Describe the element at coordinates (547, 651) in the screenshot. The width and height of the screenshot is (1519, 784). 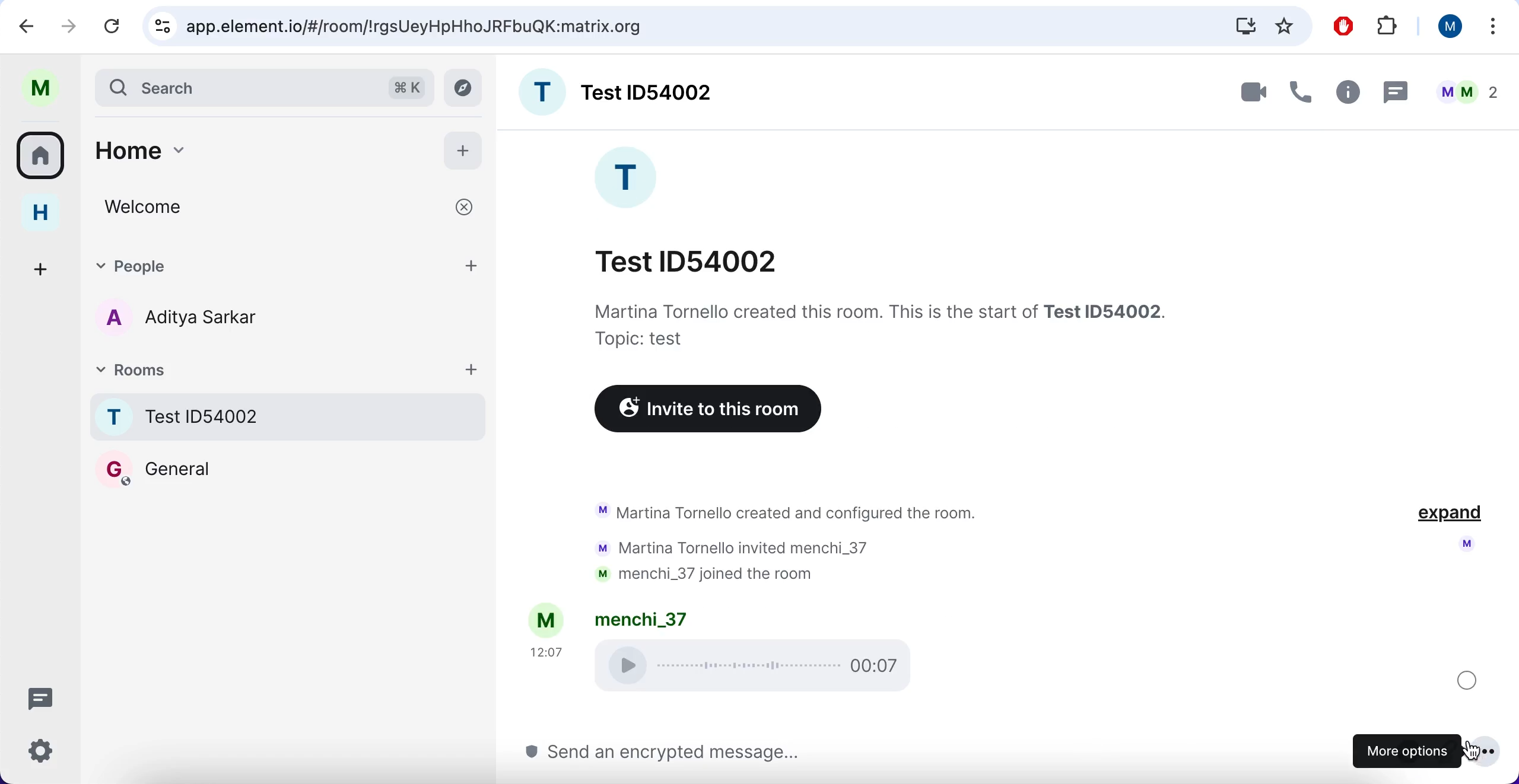
I see `hour` at that location.